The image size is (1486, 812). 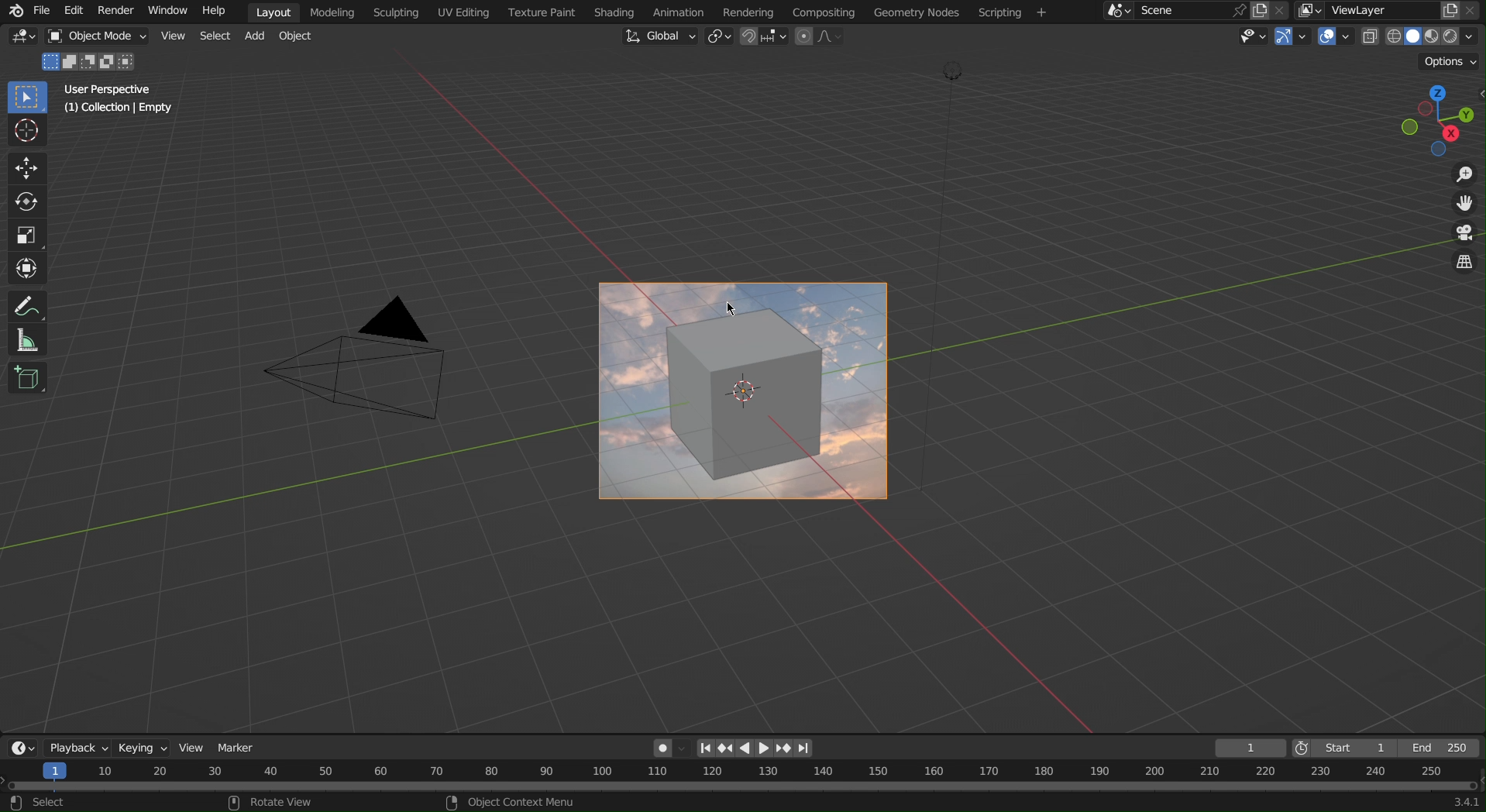 What do you see at coordinates (141, 746) in the screenshot?
I see `Keying` at bounding box center [141, 746].